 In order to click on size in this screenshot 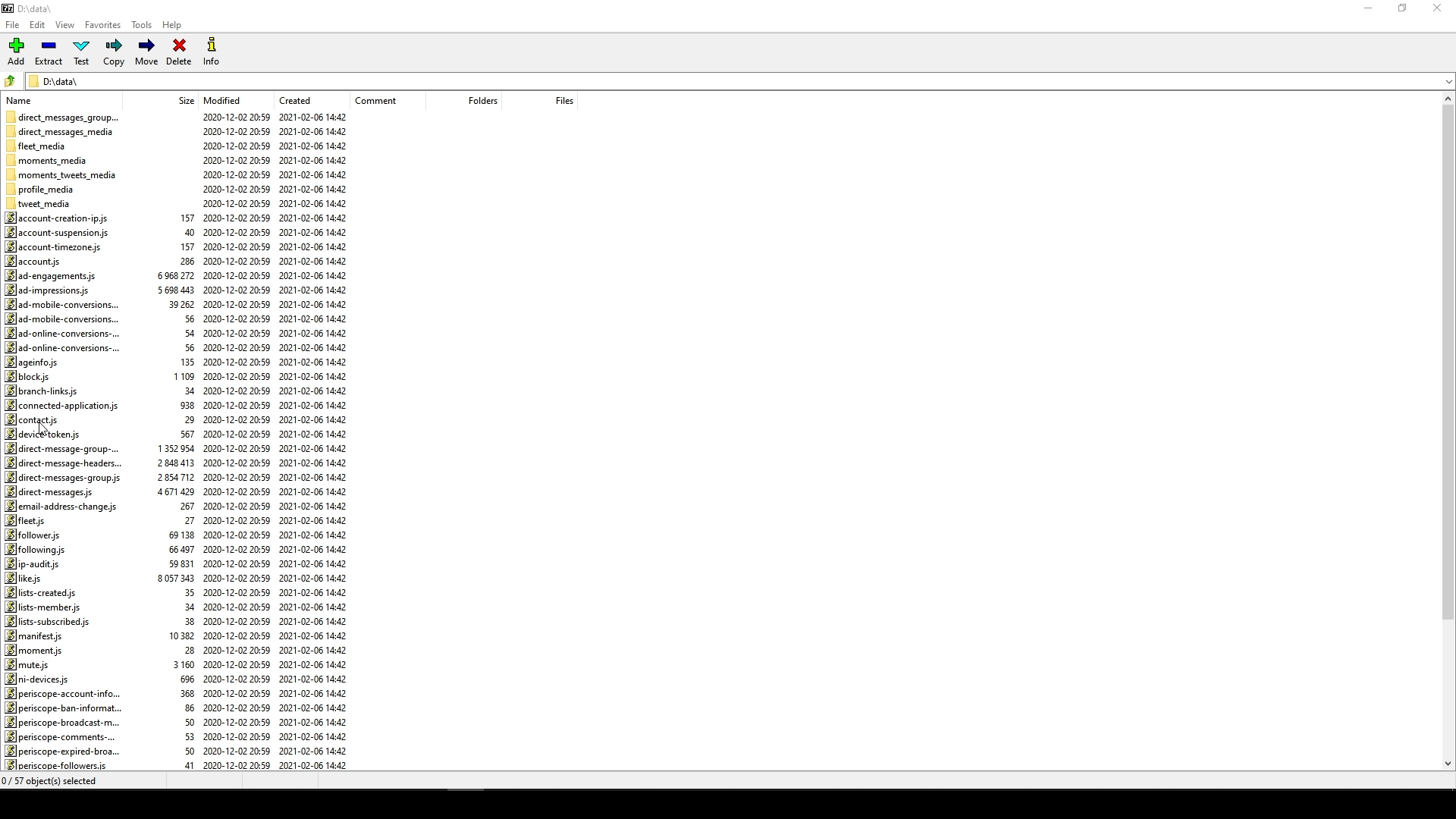, I will do `click(181, 101)`.